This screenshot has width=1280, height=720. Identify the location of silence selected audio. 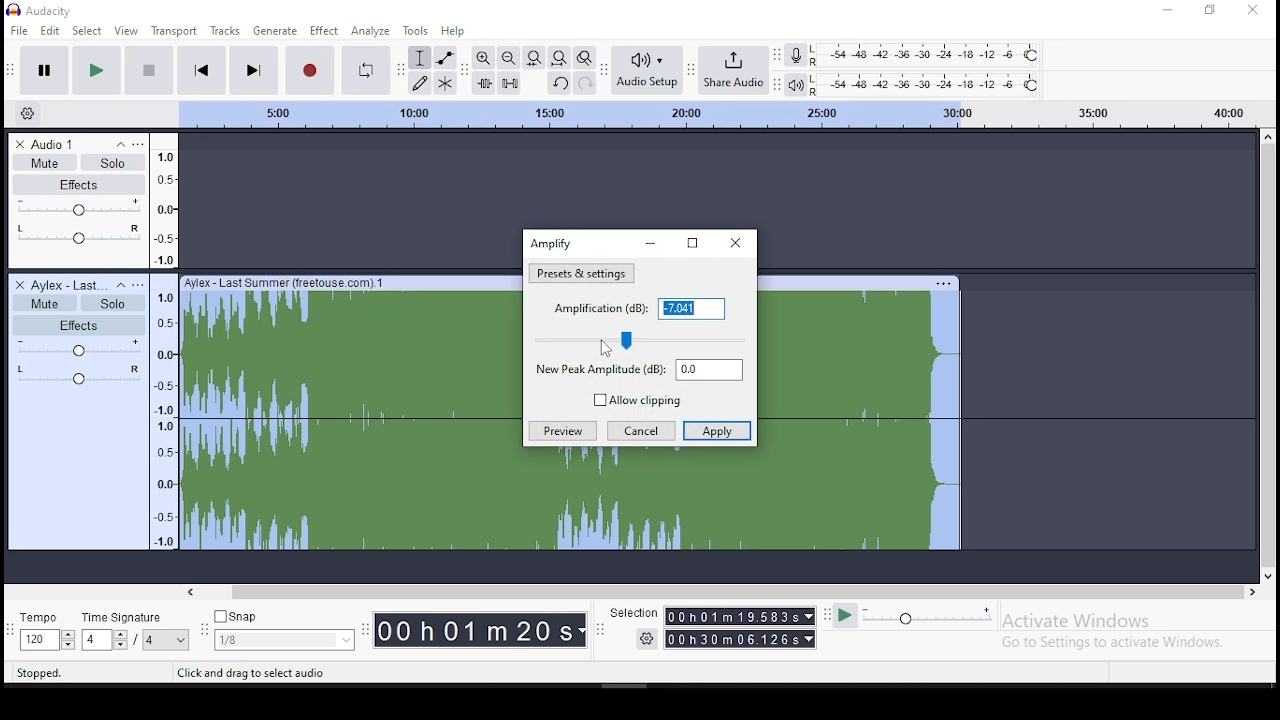
(510, 83).